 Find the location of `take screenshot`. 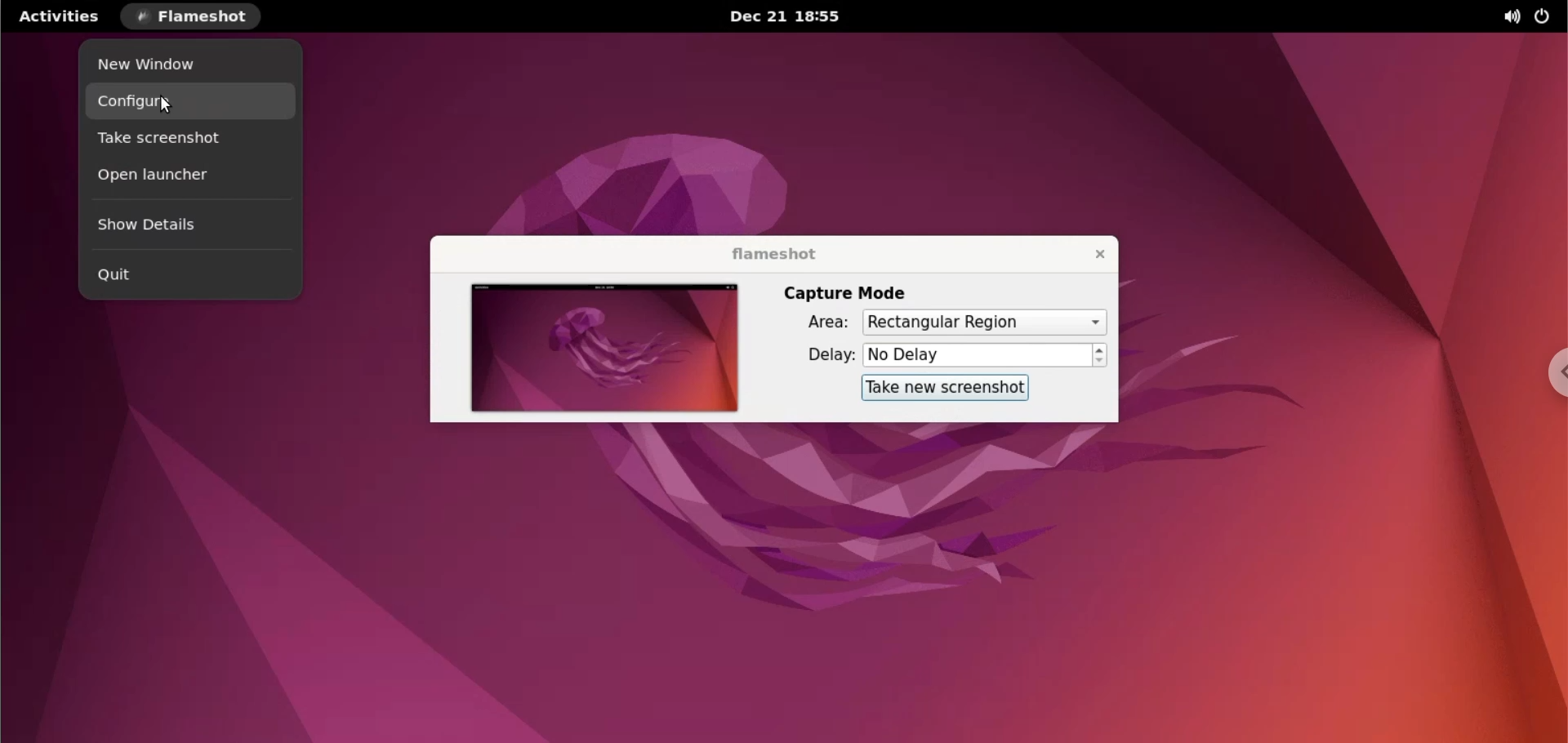

take screenshot is located at coordinates (188, 137).